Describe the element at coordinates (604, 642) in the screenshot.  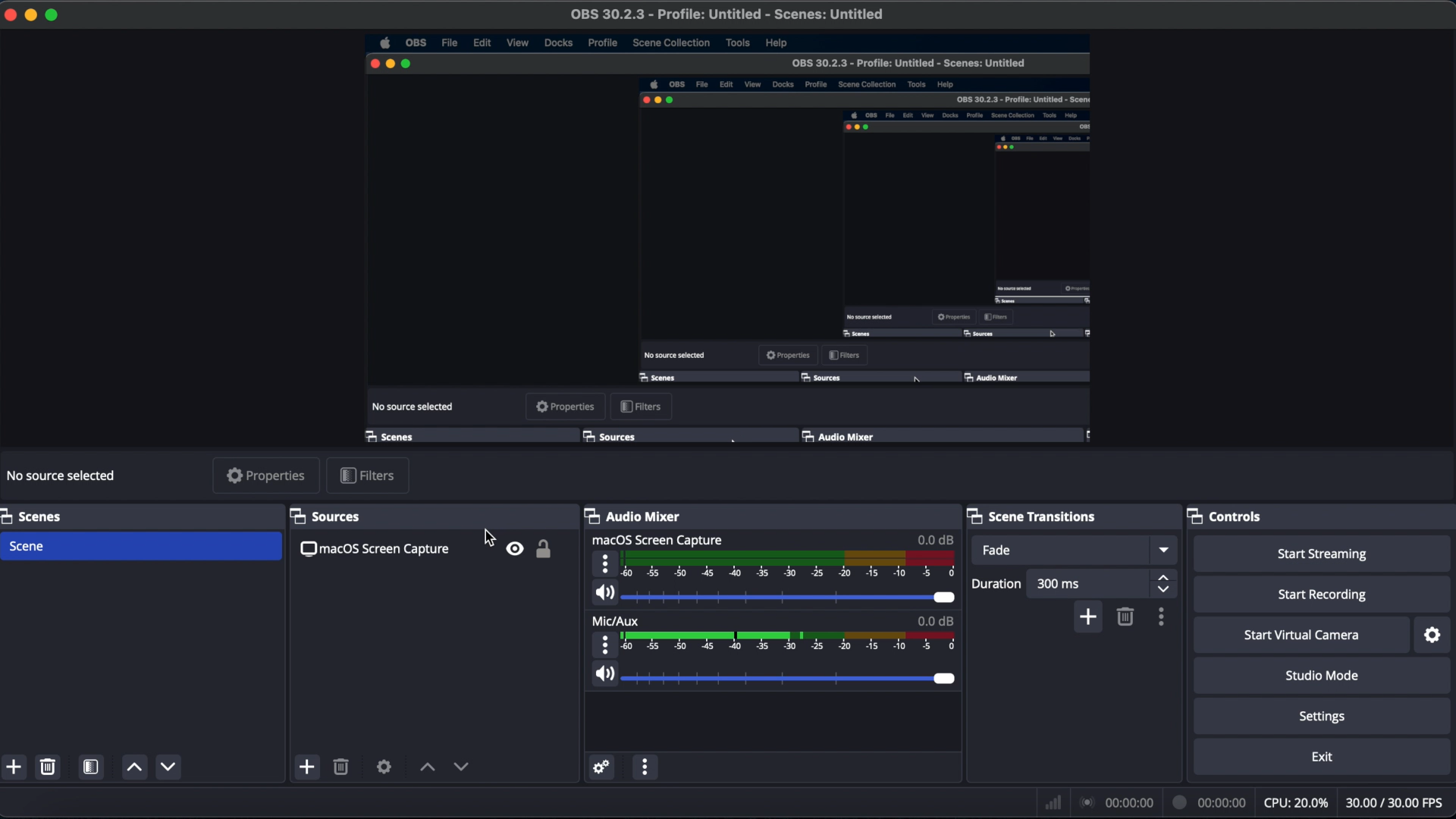
I see `mic properties` at that location.